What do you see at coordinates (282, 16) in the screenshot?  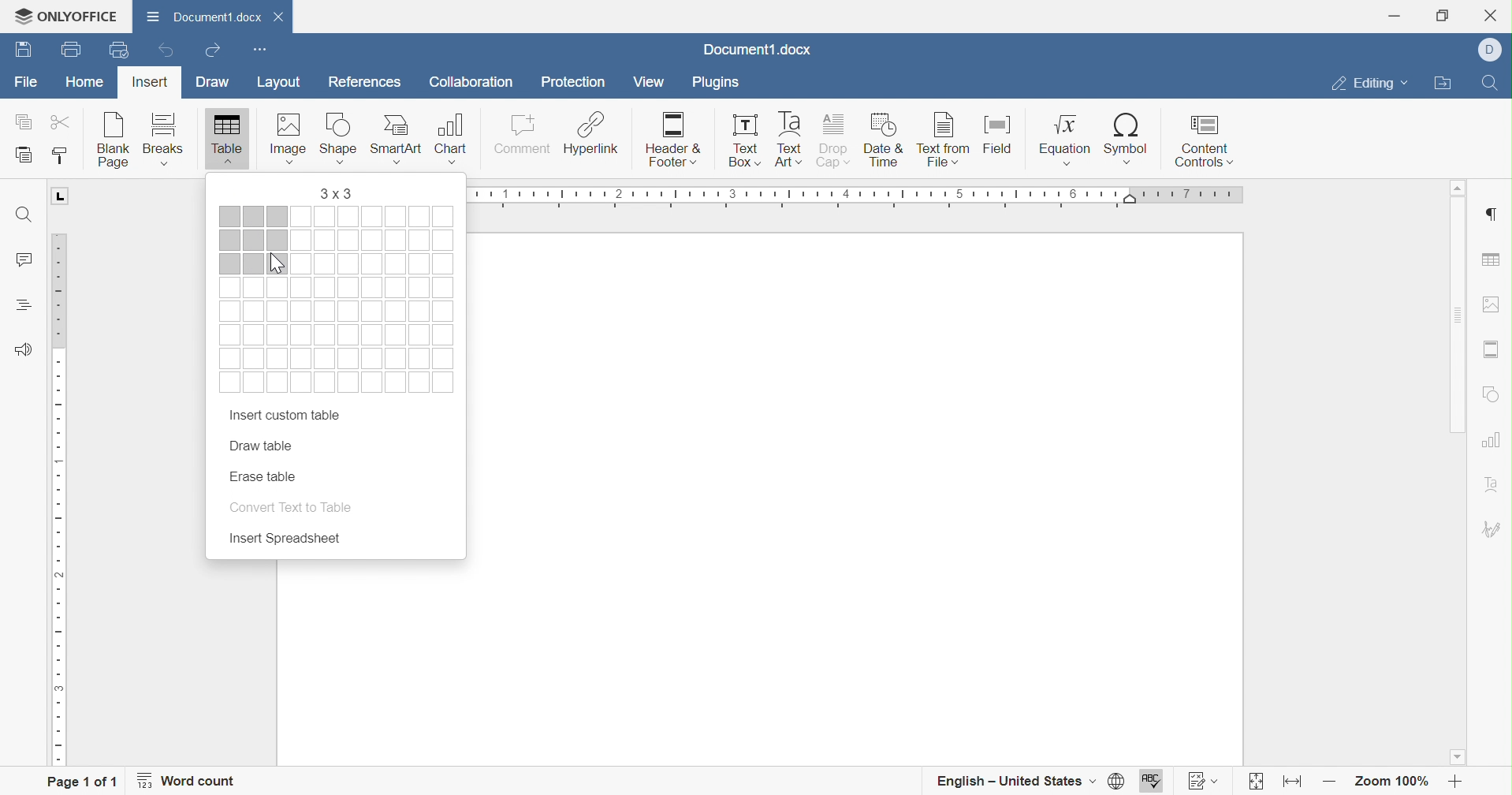 I see `Close` at bounding box center [282, 16].